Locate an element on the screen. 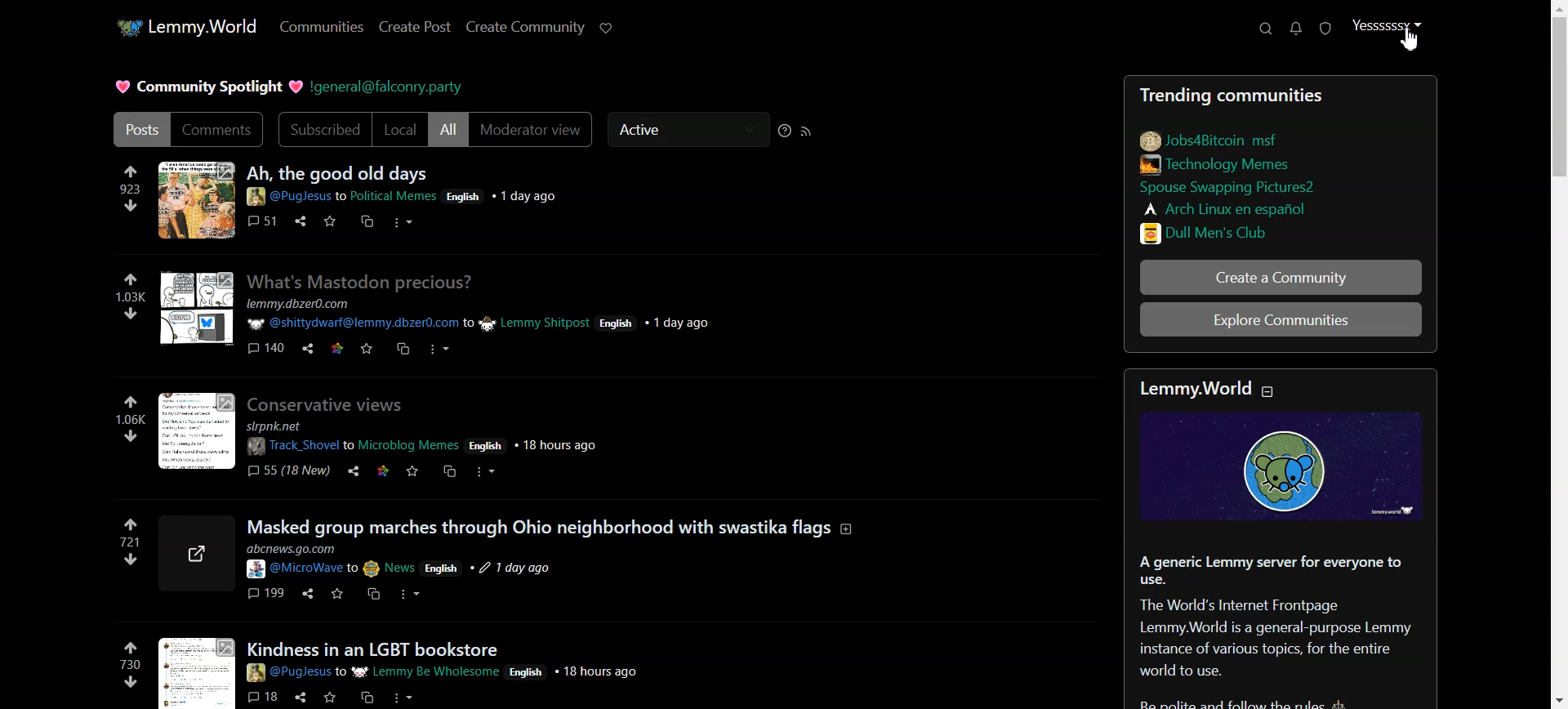  save is located at coordinates (327, 220).